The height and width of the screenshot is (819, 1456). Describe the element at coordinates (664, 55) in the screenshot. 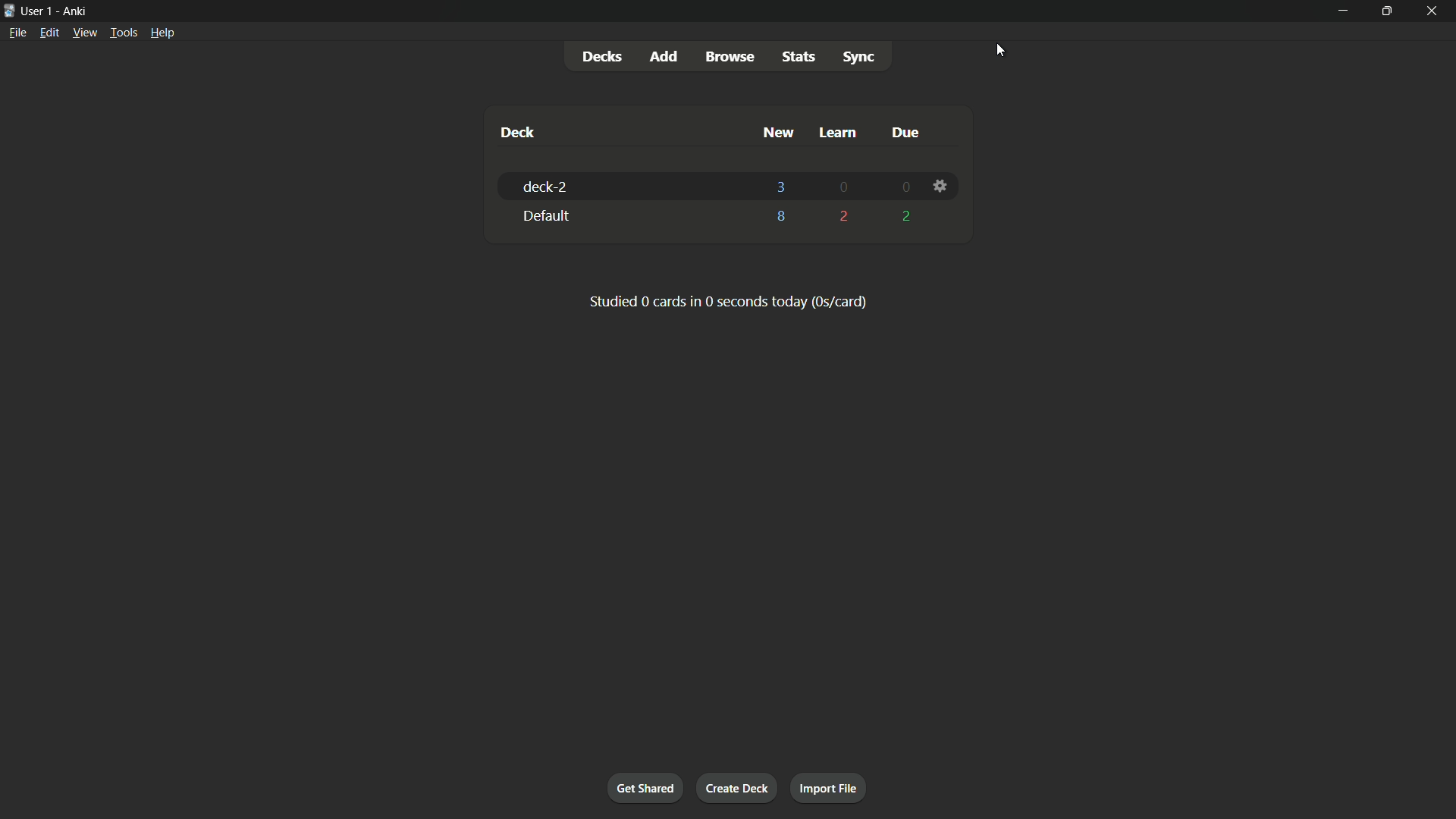

I see `add` at that location.